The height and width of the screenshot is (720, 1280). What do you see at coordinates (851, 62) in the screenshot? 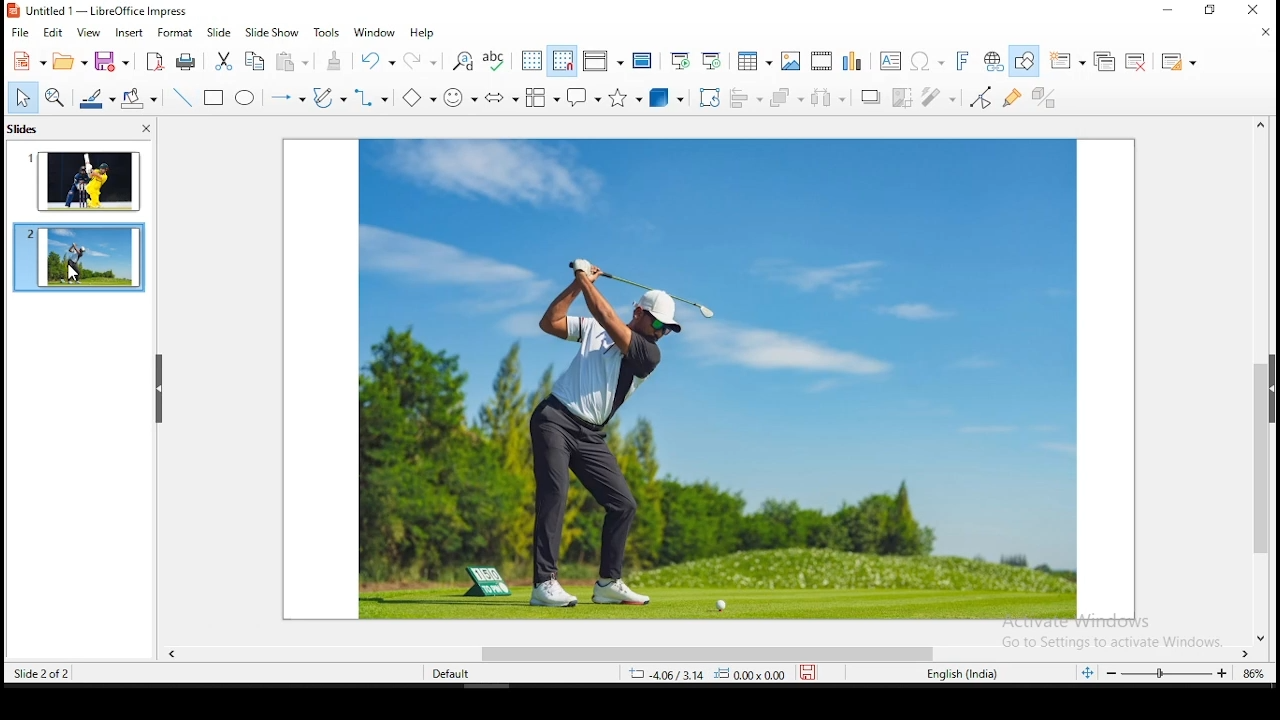
I see `insert chart` at bounding box center [851, 62].